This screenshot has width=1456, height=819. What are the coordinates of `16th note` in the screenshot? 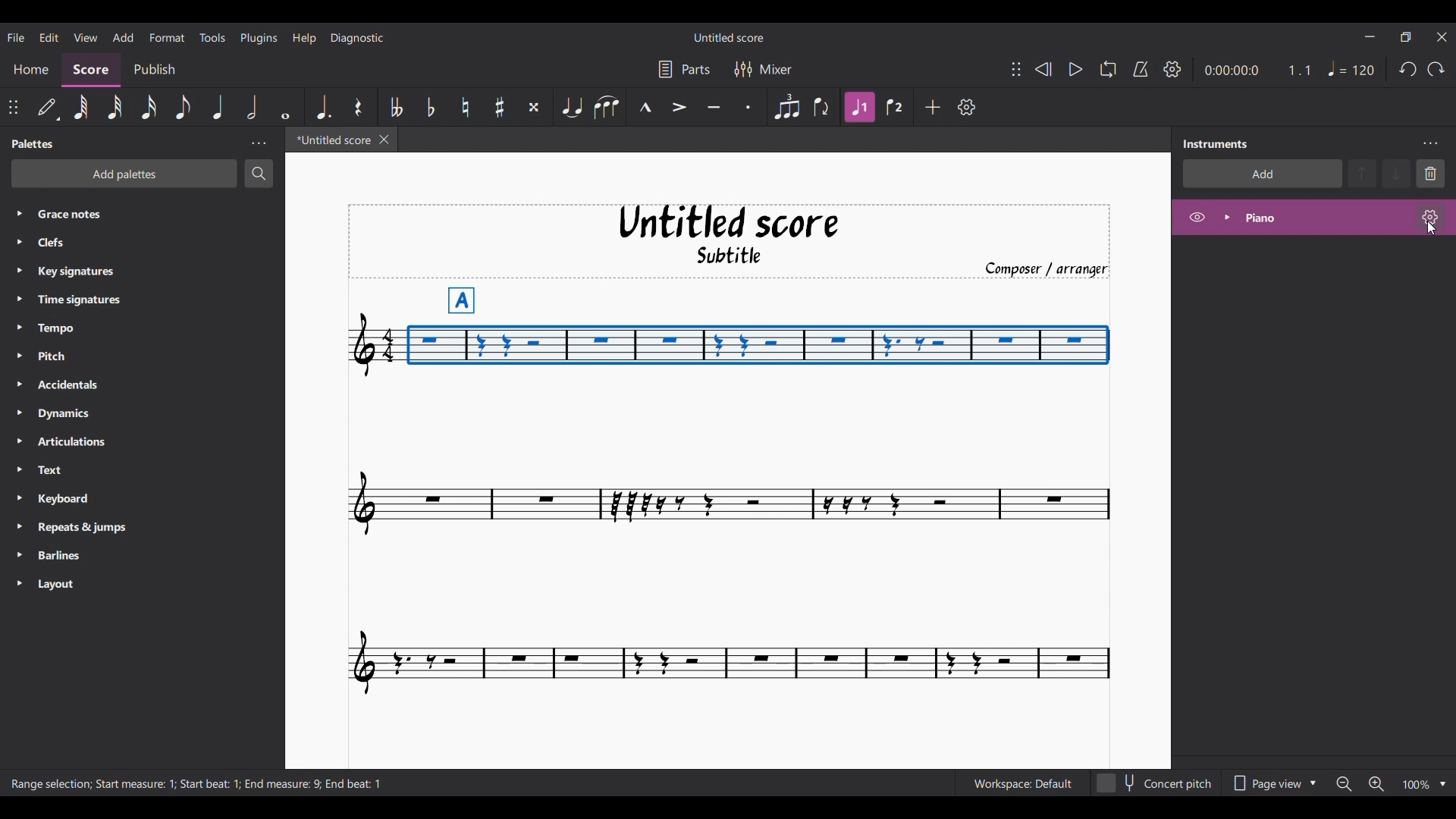 It's located at (149, 106).